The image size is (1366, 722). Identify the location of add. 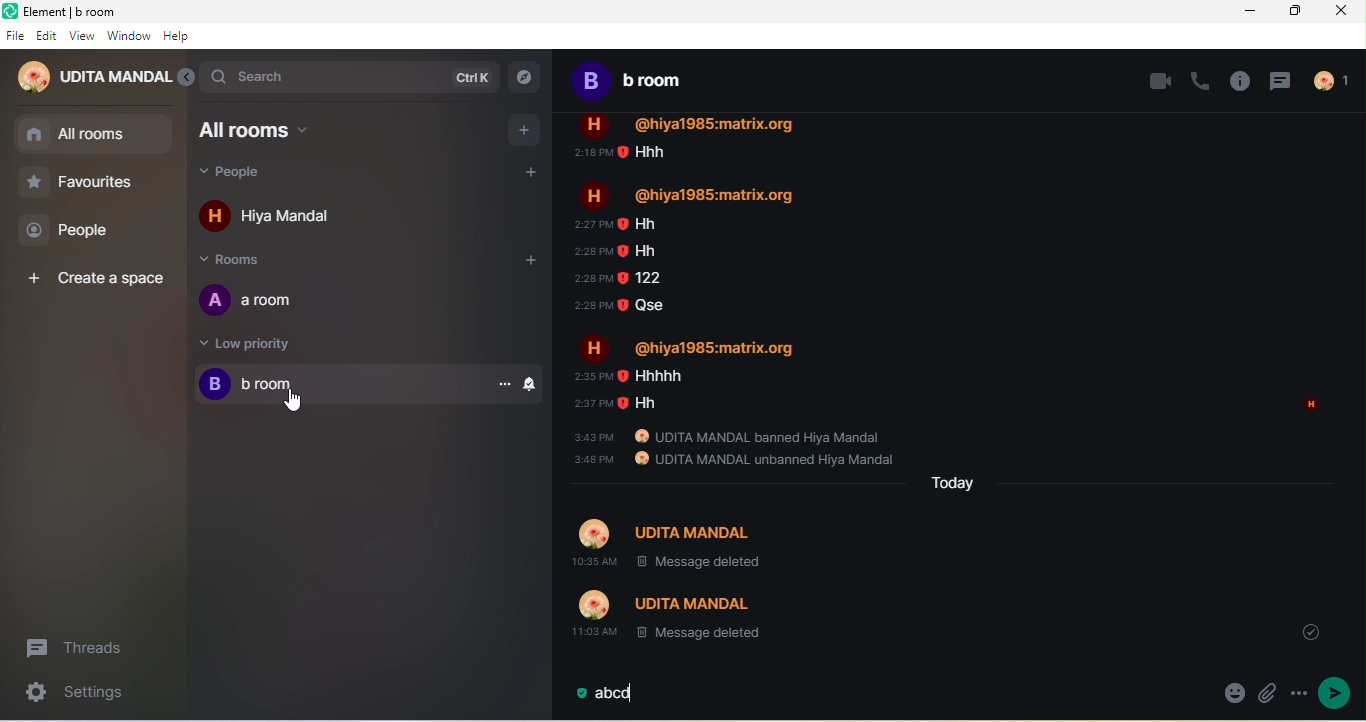
(524, 129).